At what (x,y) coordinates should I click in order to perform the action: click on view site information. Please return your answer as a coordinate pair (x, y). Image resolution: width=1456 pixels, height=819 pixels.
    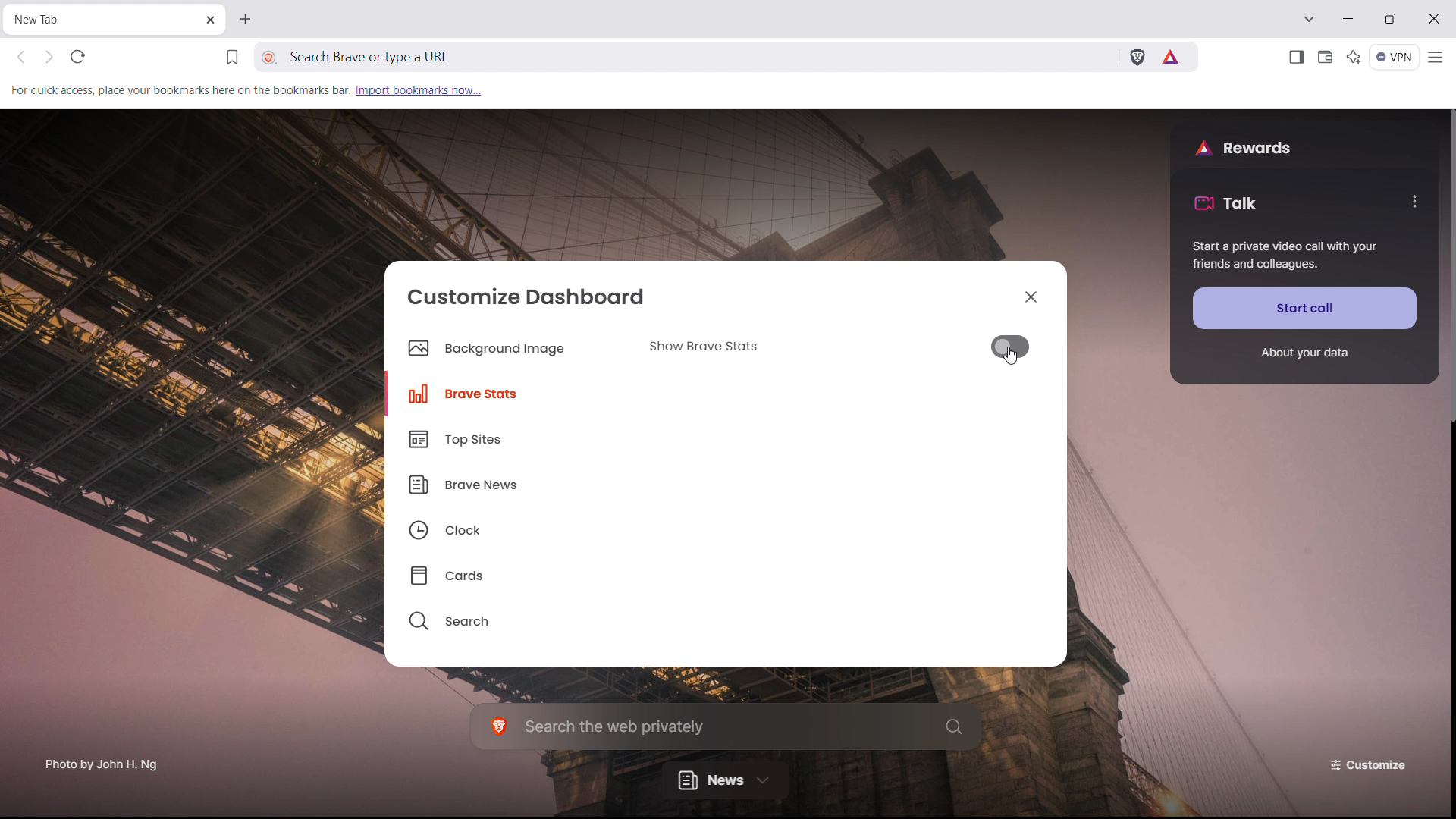
    Looking at the image, I should click on (270, 58).